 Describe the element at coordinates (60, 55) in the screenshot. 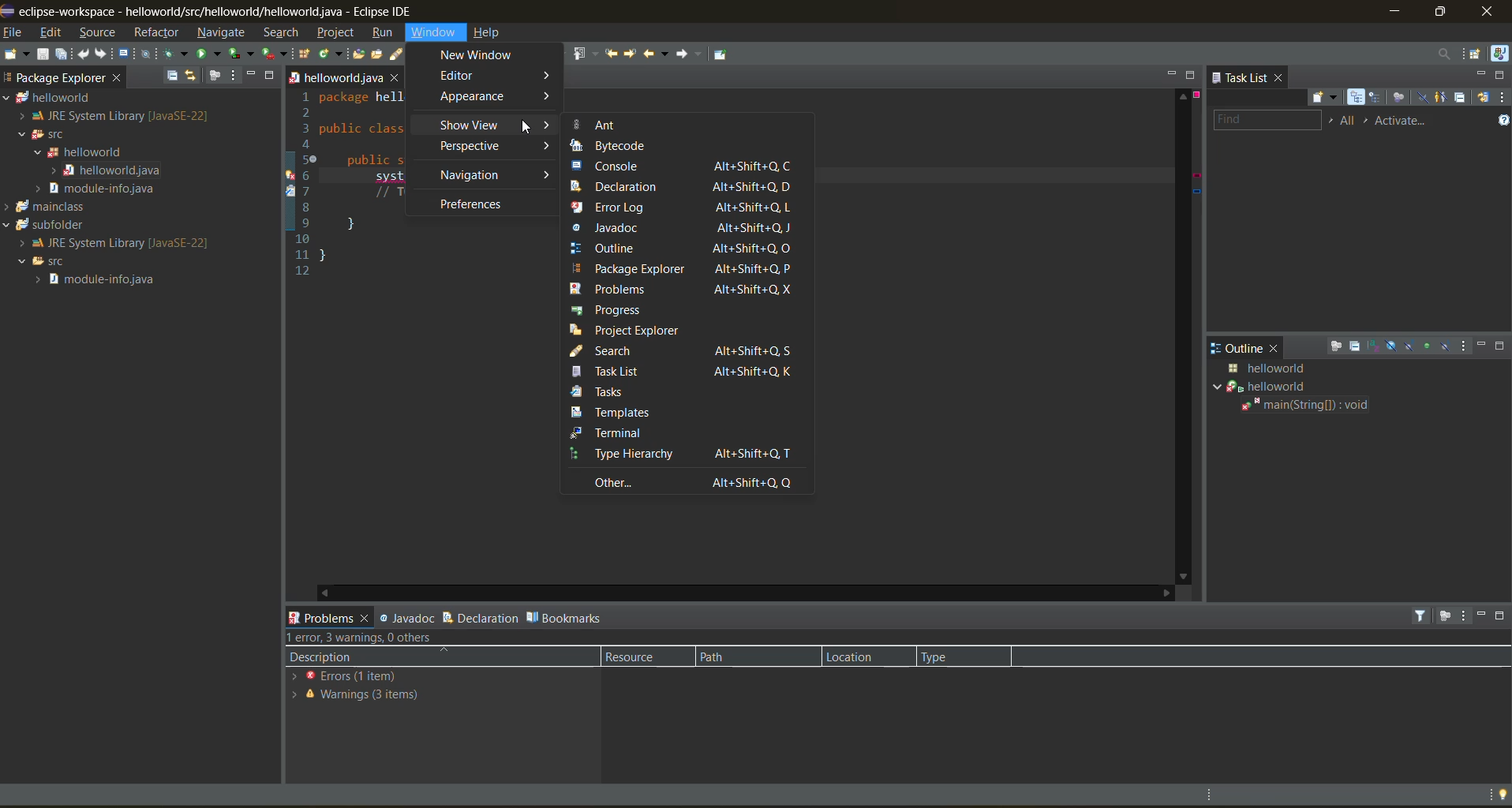

I see `save all` at that location.